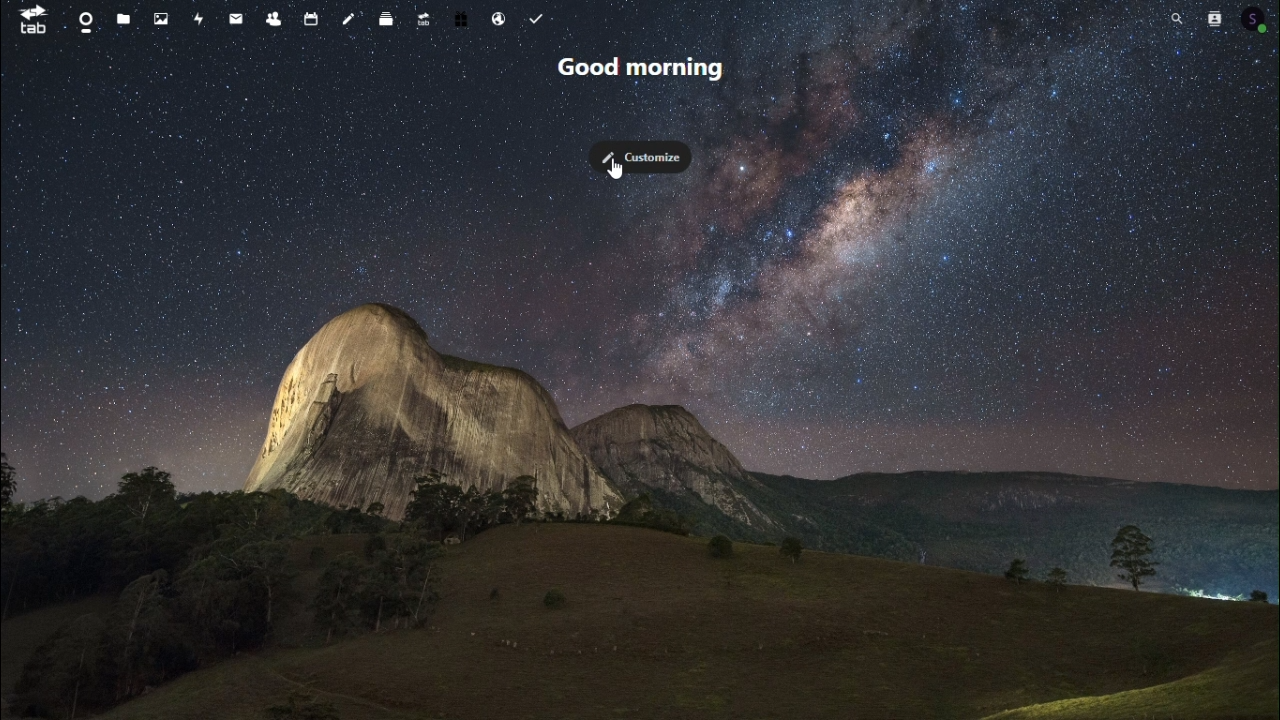  Describe the element at coordinates (121, 19) in the screenshot. I see `Files` at that location.